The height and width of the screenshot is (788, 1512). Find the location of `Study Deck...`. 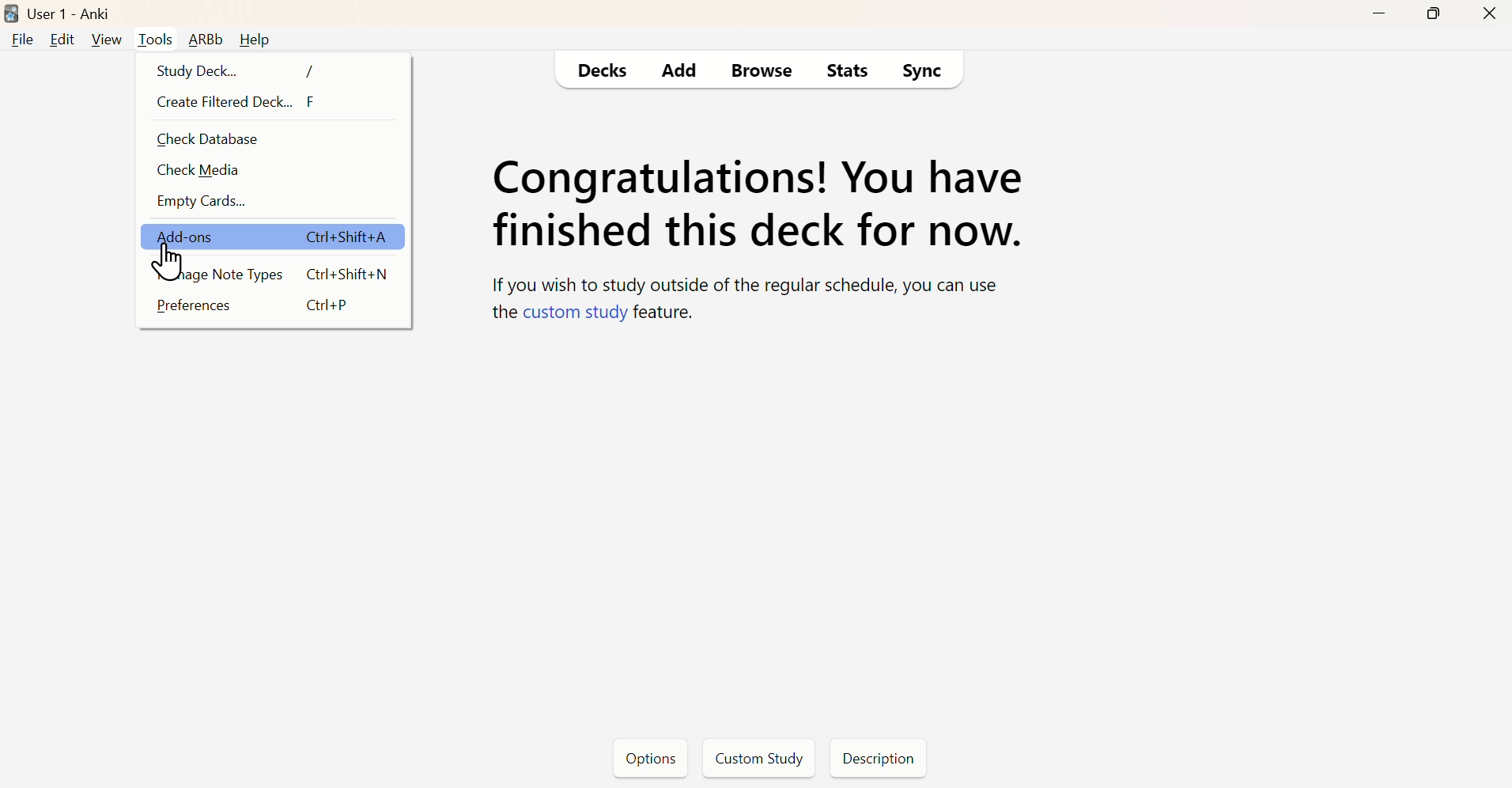

Study Deck... is located at coordinates (238, 70).